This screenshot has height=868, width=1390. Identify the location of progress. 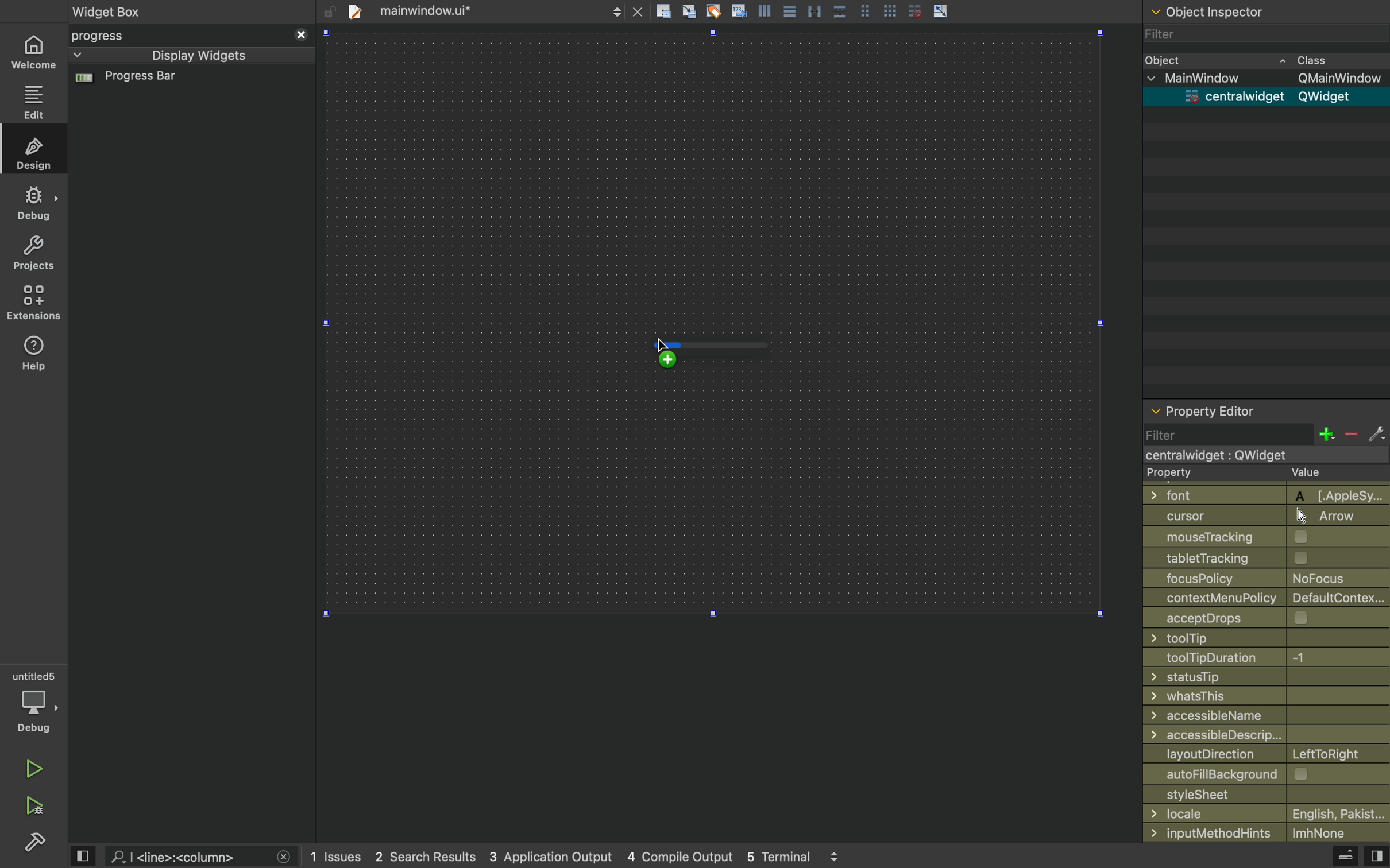
(191, 36).